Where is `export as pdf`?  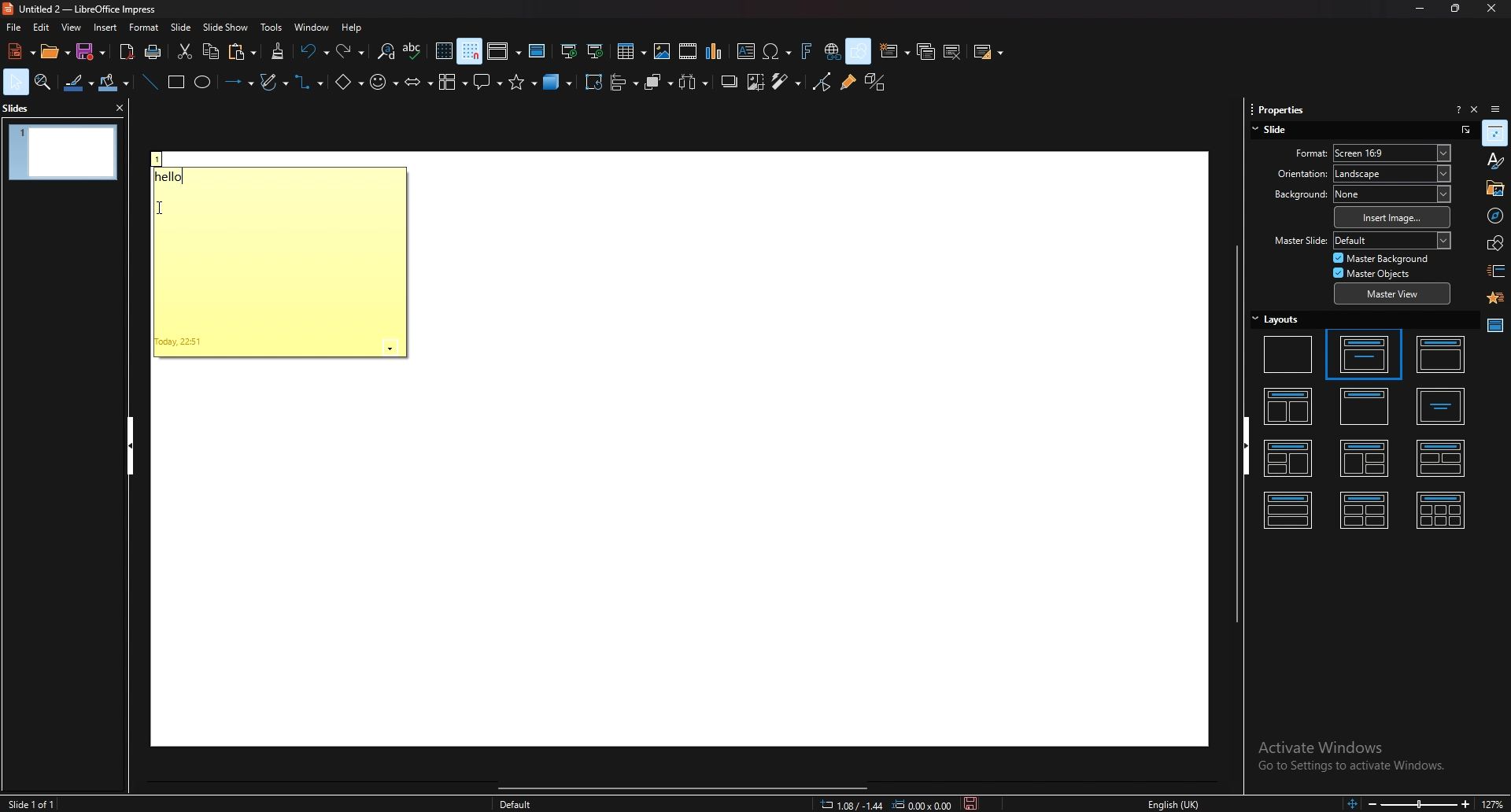 export as pdf is located at coordinates (127, 52).